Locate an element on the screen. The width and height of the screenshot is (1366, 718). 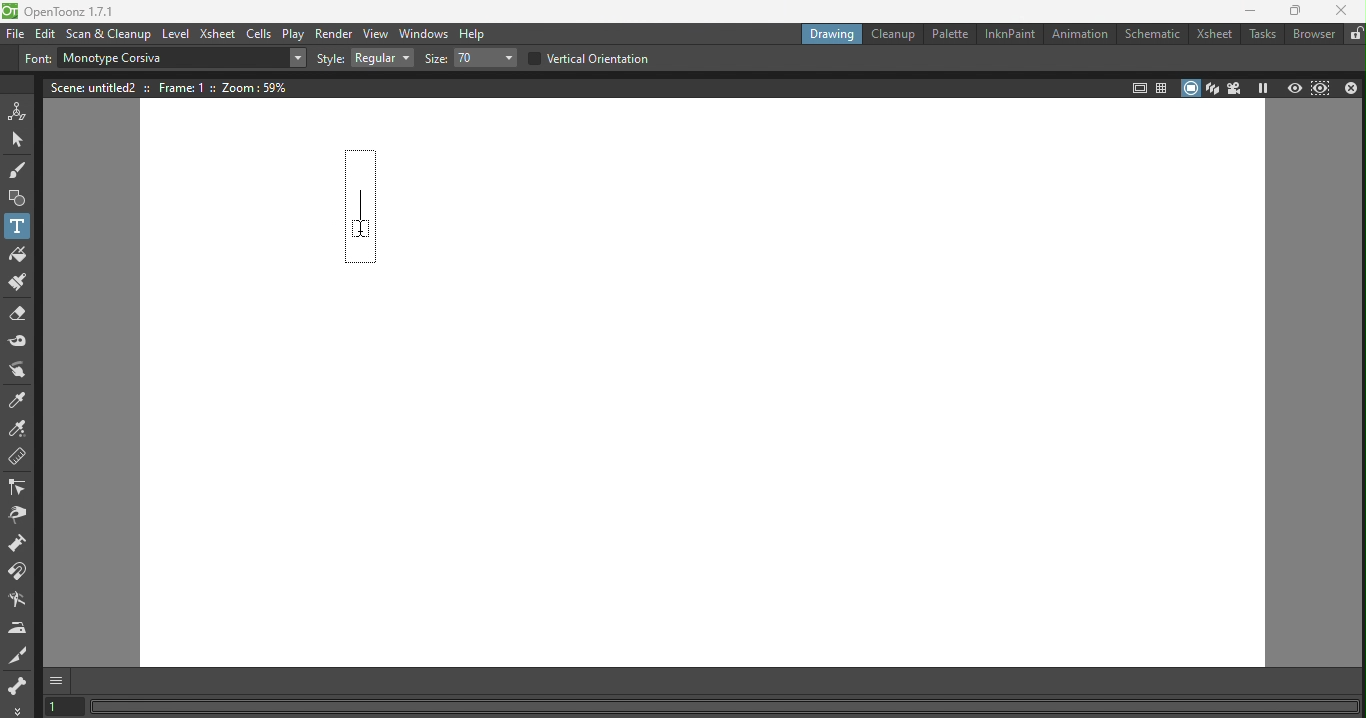
Vertical orientation is located at coordinates (597, 57).